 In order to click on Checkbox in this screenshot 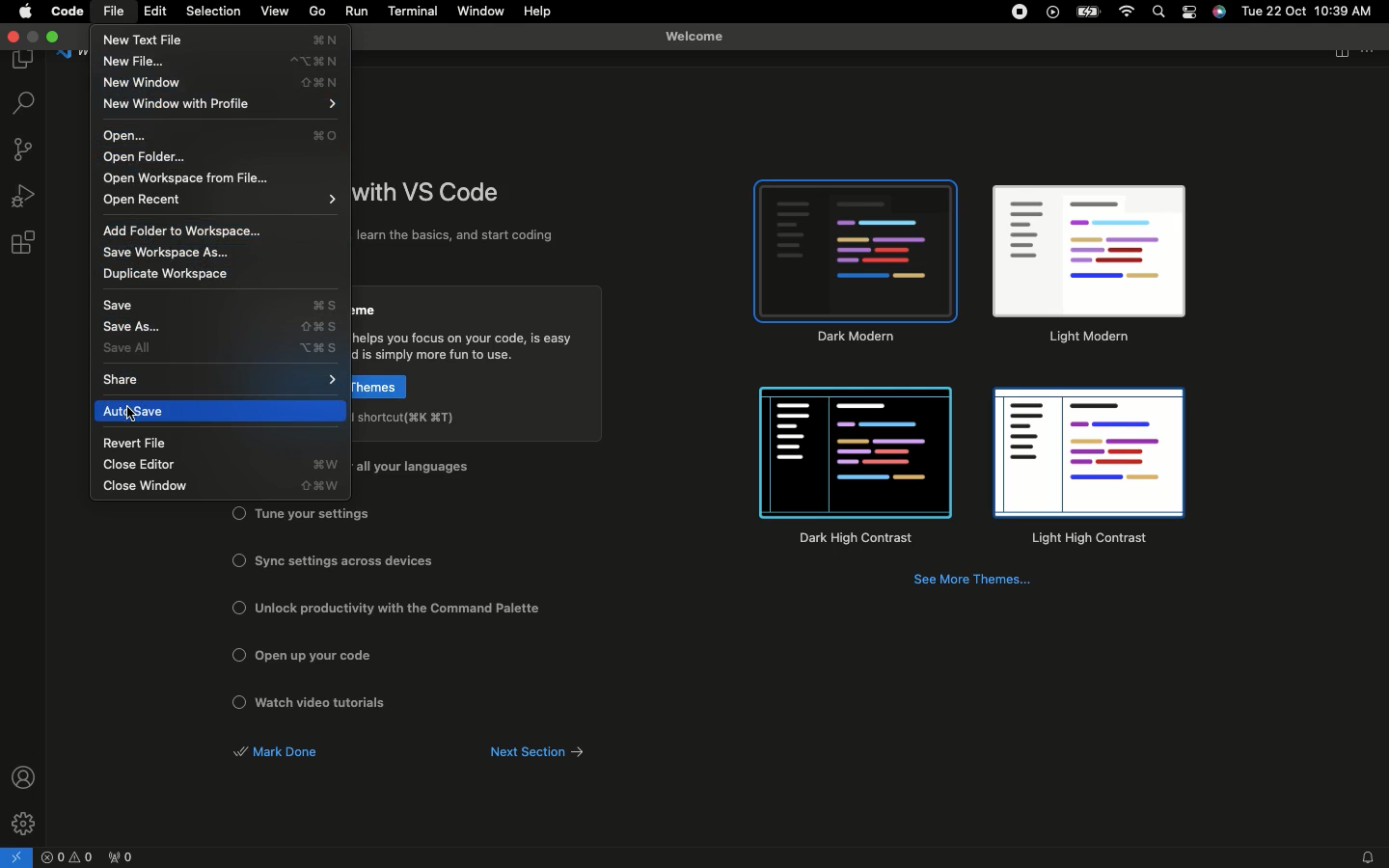, I will do `click(235, 559)`.